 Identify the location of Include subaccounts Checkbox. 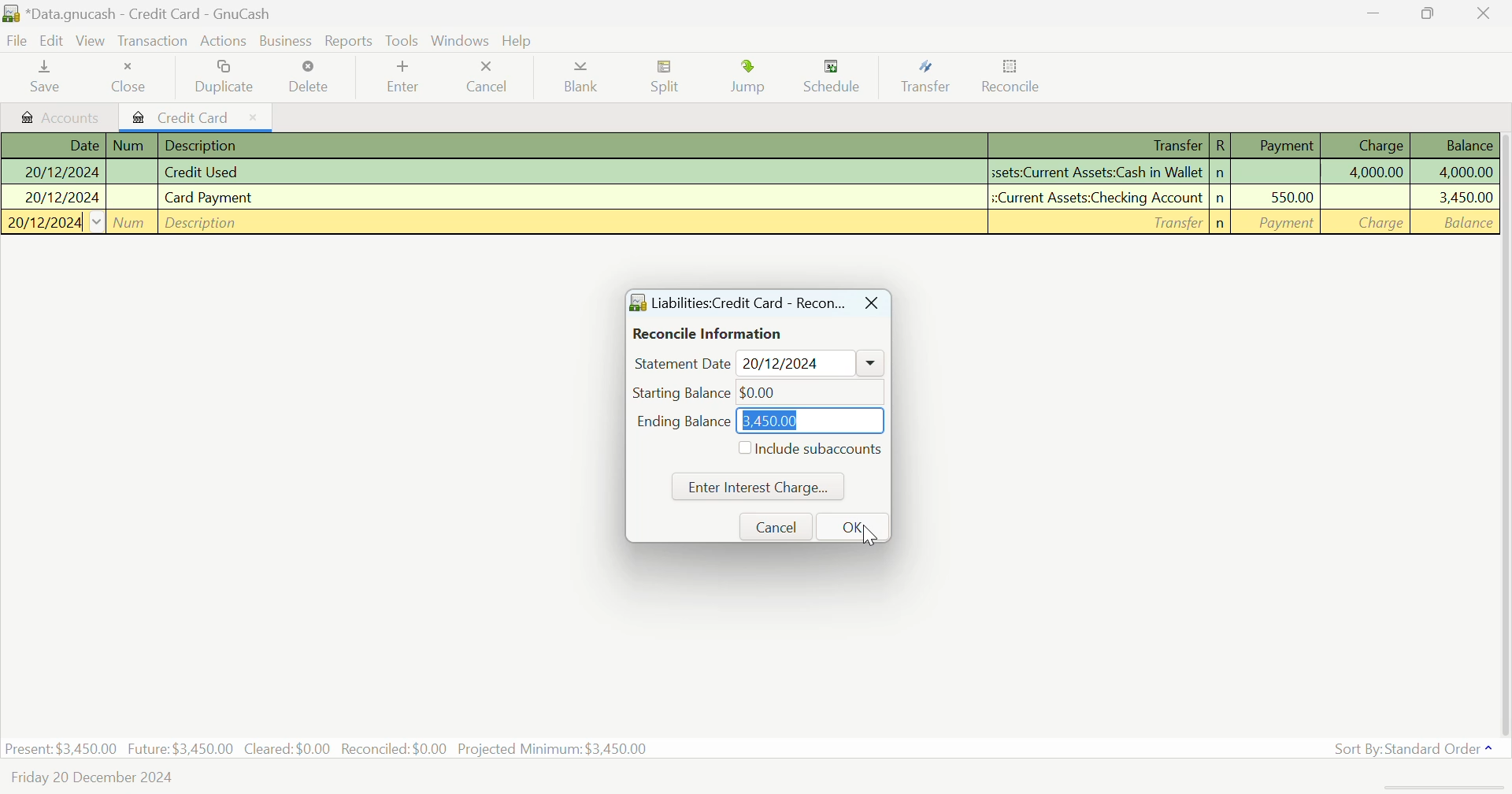
(810, 447).